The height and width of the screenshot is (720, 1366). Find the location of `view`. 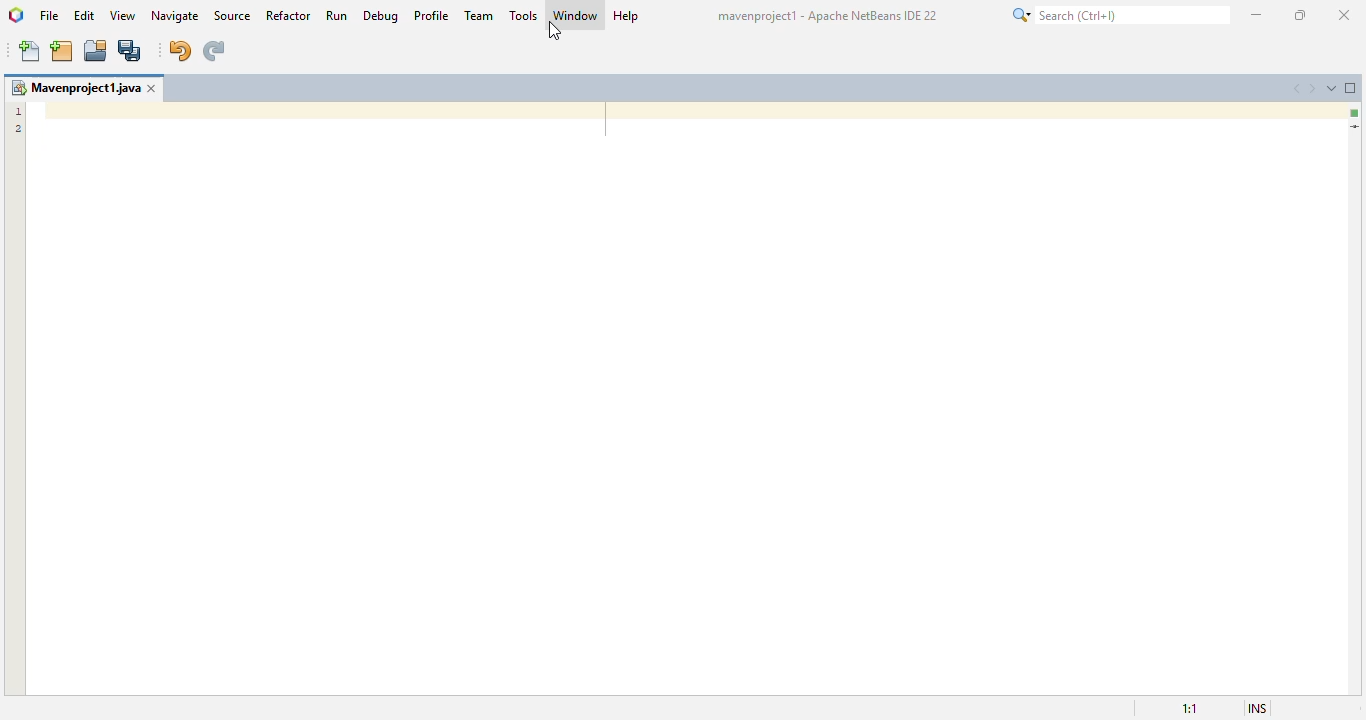

view is located at coordinates (124, 15).